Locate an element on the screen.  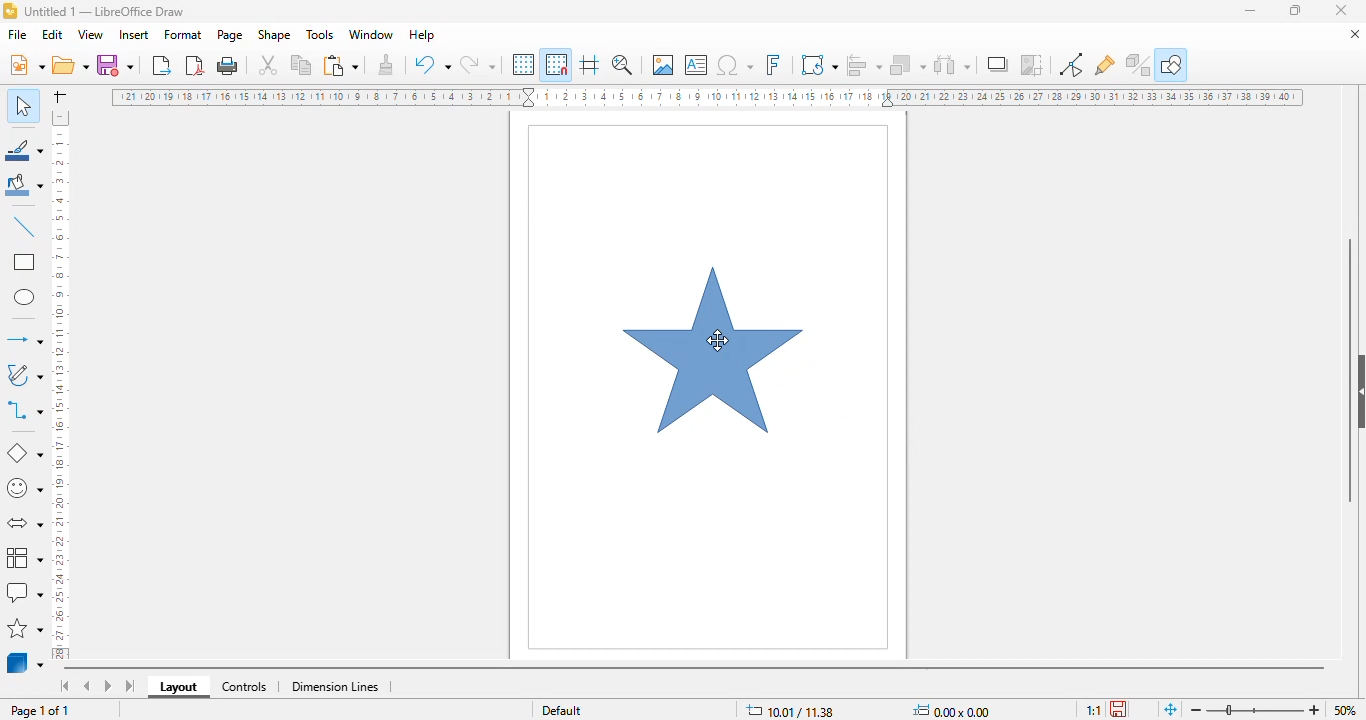
toggle extrusion is located at coordinates (1138, 65).